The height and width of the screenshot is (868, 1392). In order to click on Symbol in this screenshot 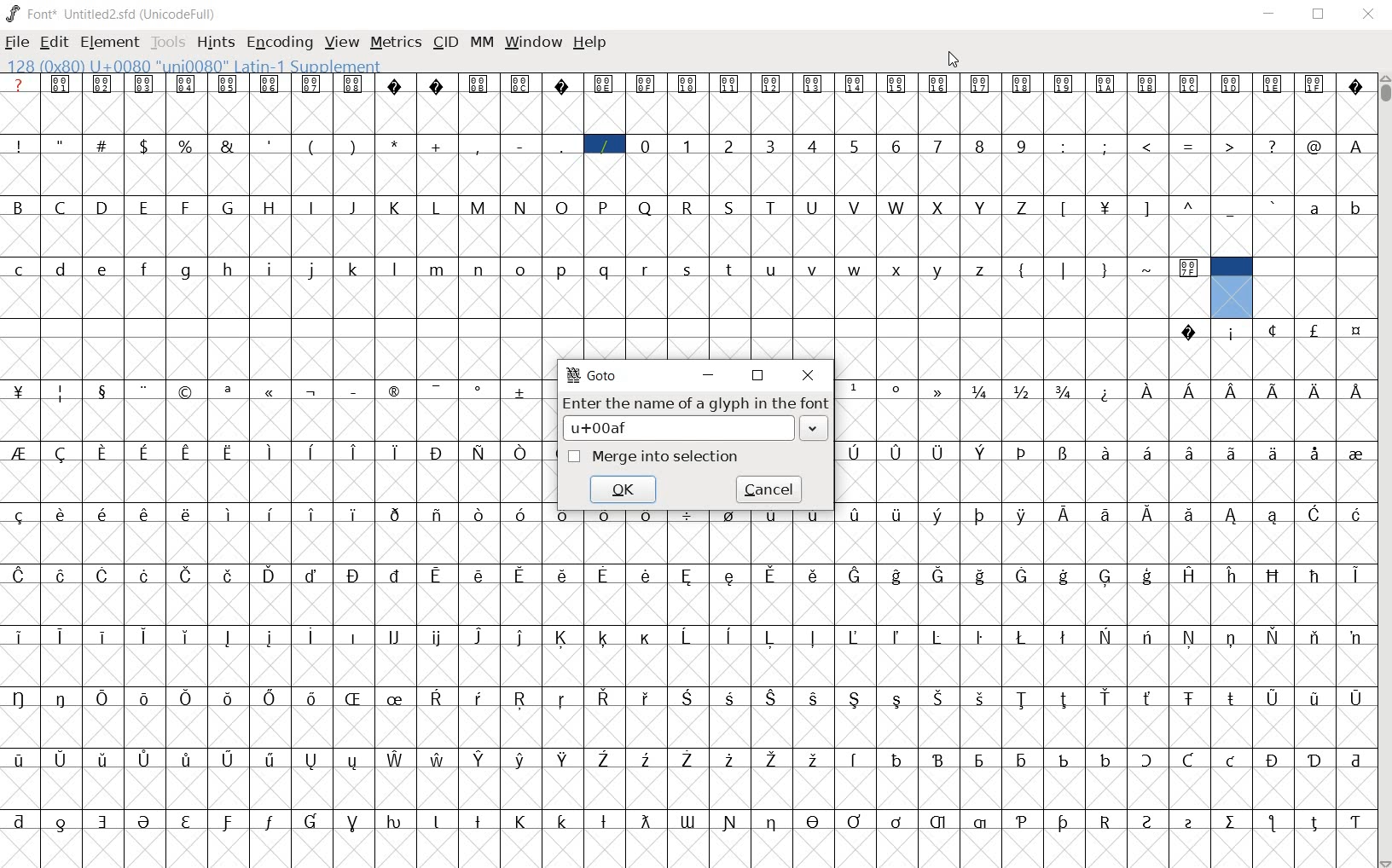, I will do `click(1191, 638)`.